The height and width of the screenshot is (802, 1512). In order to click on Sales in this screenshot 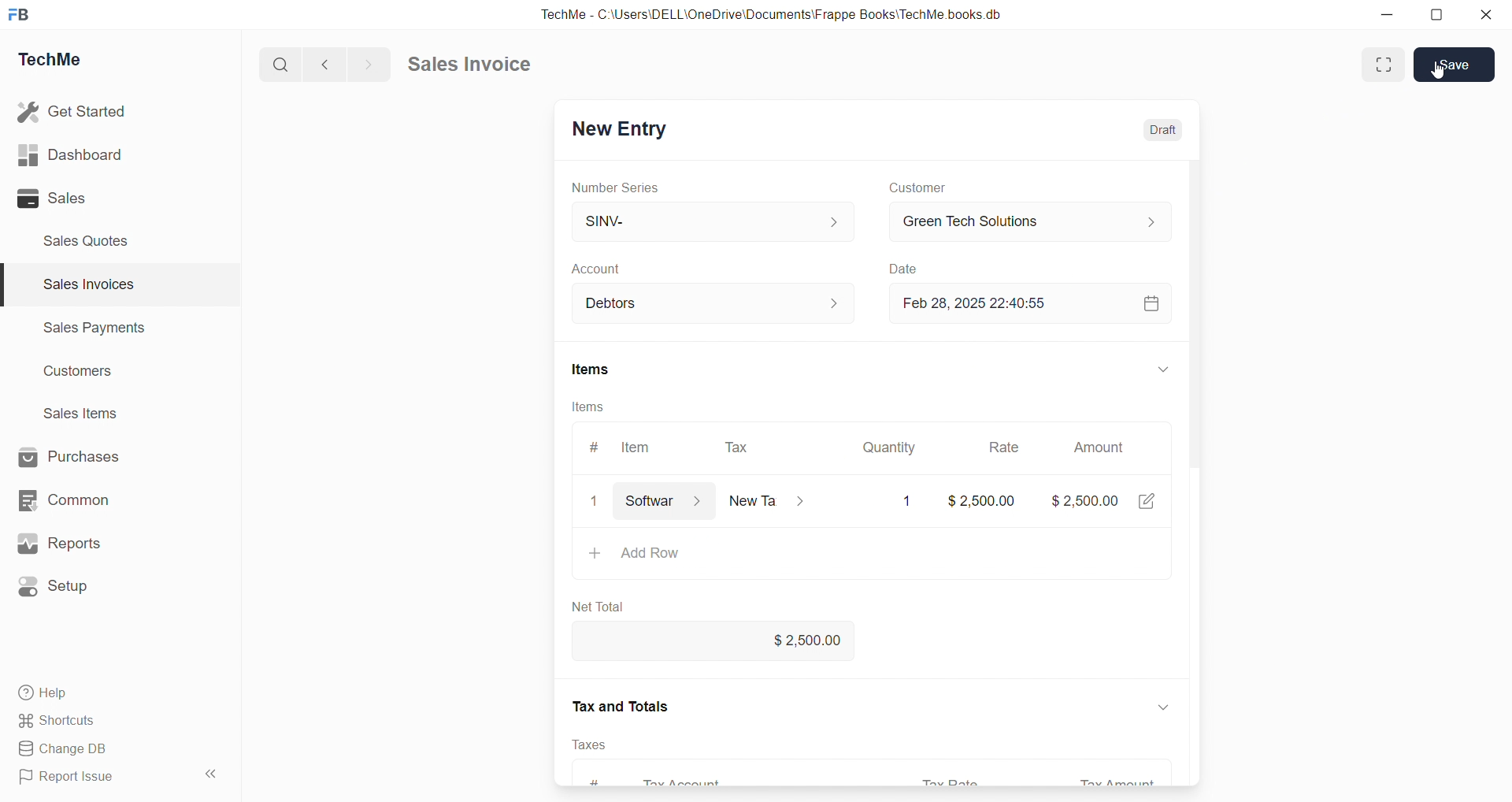, I will do `click(52, 198)`.